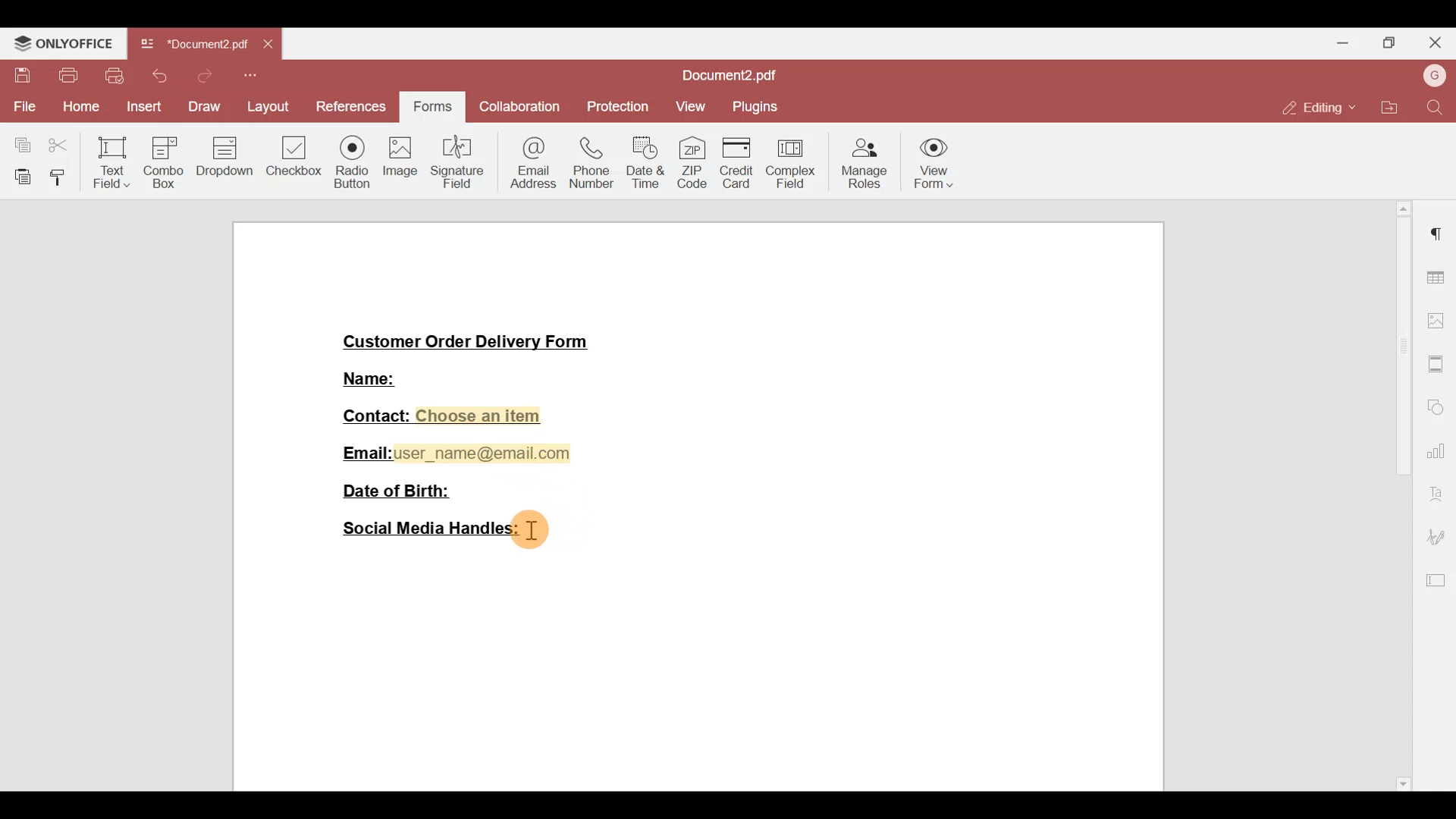 The image size is (1456, 819). What do you see at coordinates (1436, 108) in the screenshot?
I see `Find` at bounding box center [1436, 108].